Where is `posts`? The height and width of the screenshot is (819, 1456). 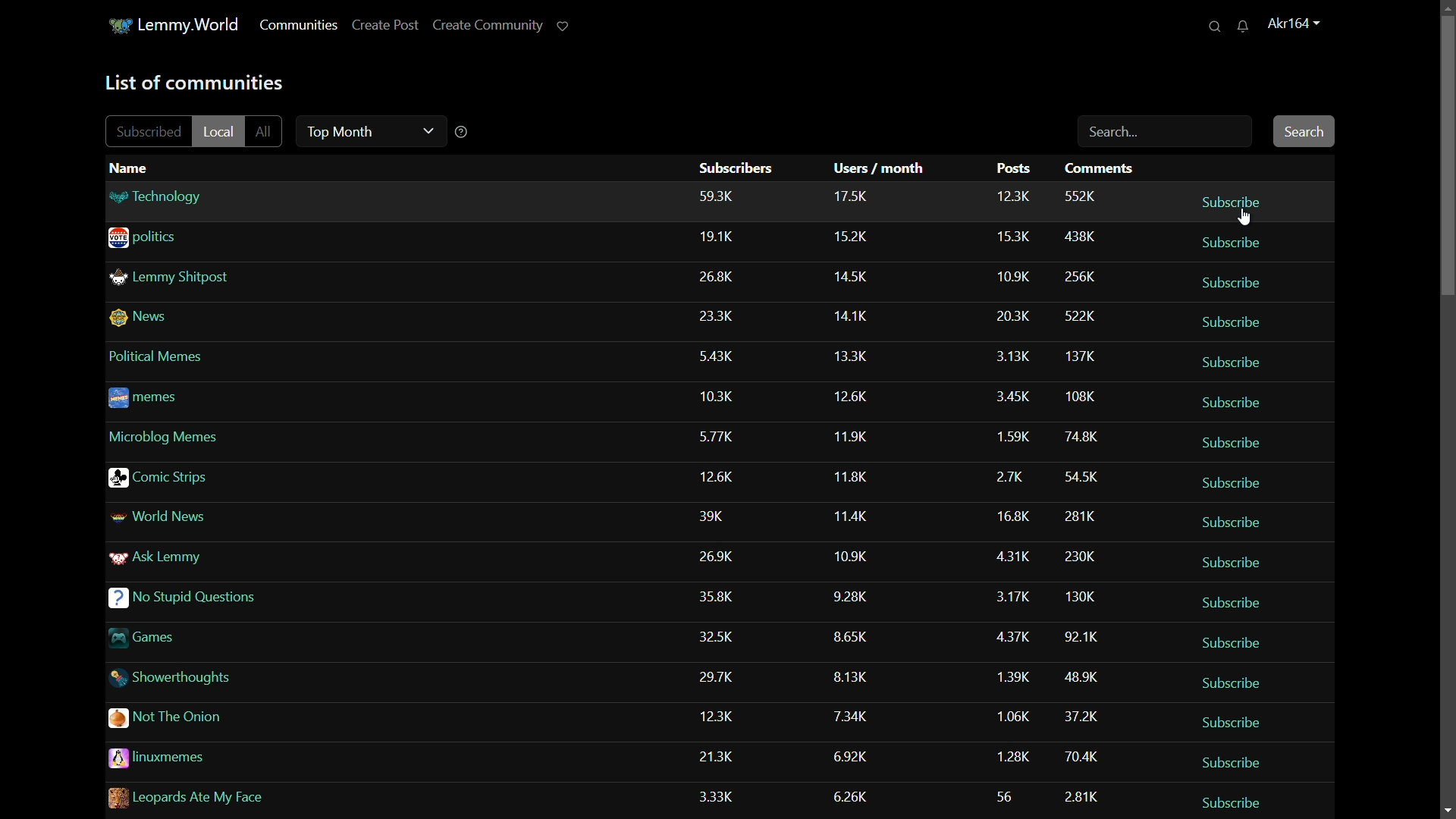 posts is located at coordinates (1010, 713).